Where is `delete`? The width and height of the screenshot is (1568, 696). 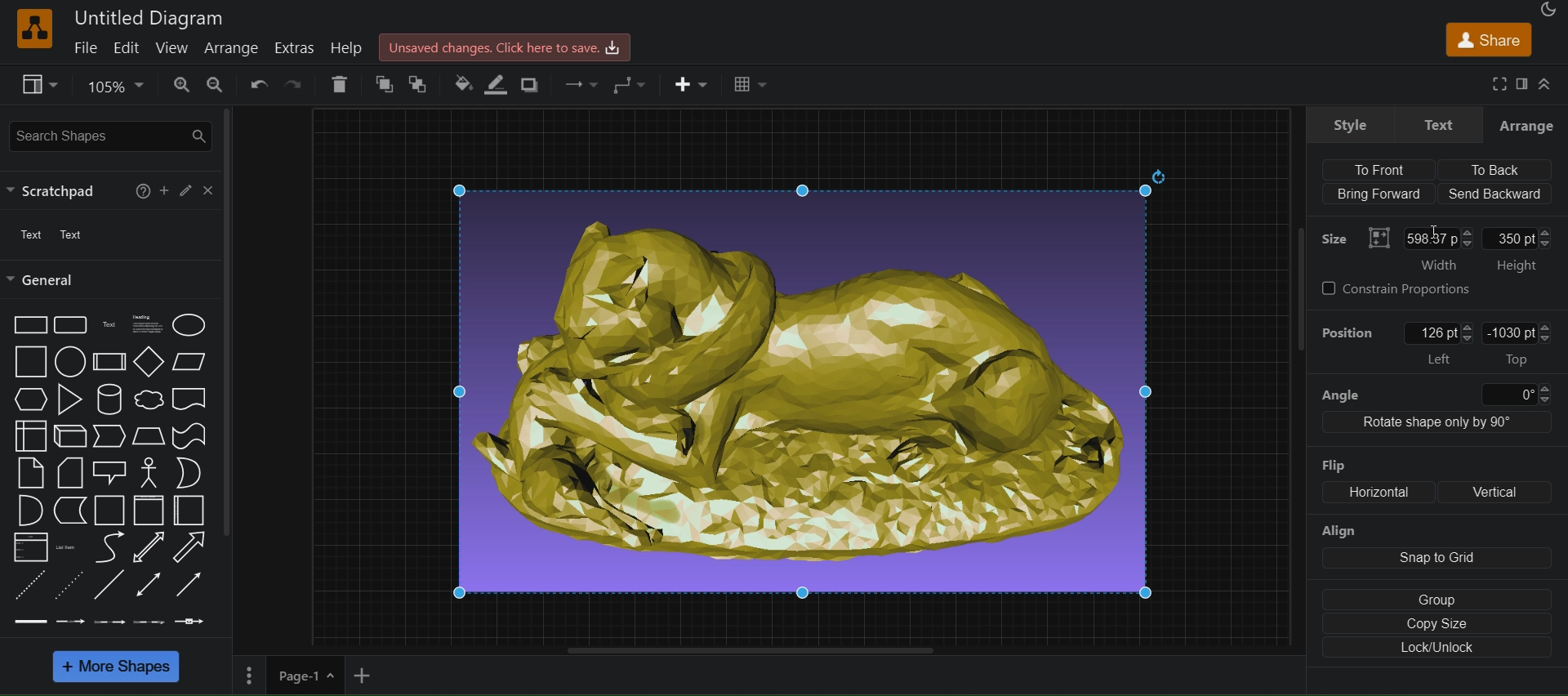 delete is located at coordinates (340, 83).